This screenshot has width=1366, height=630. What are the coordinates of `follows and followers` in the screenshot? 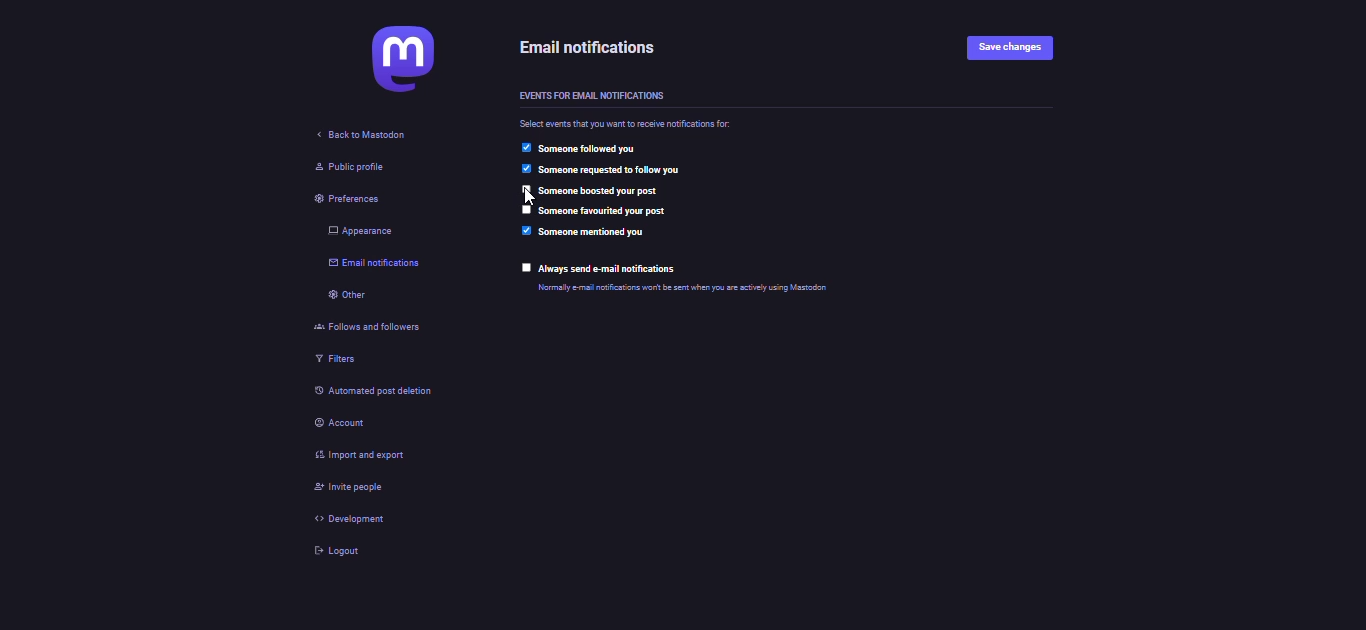 It's located at (370, 329).